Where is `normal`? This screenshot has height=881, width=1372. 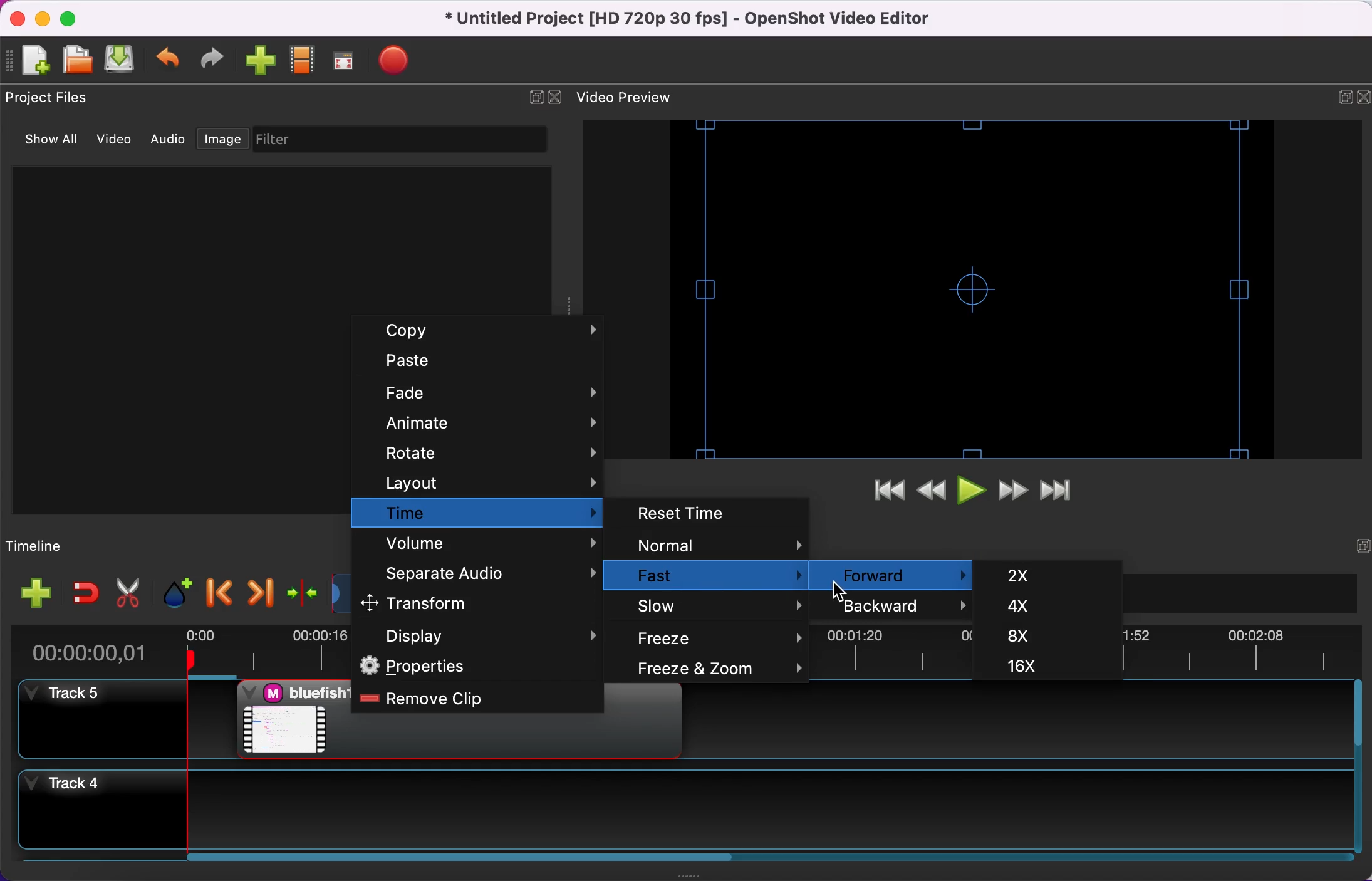 normal is located at coordinates (719, 546).